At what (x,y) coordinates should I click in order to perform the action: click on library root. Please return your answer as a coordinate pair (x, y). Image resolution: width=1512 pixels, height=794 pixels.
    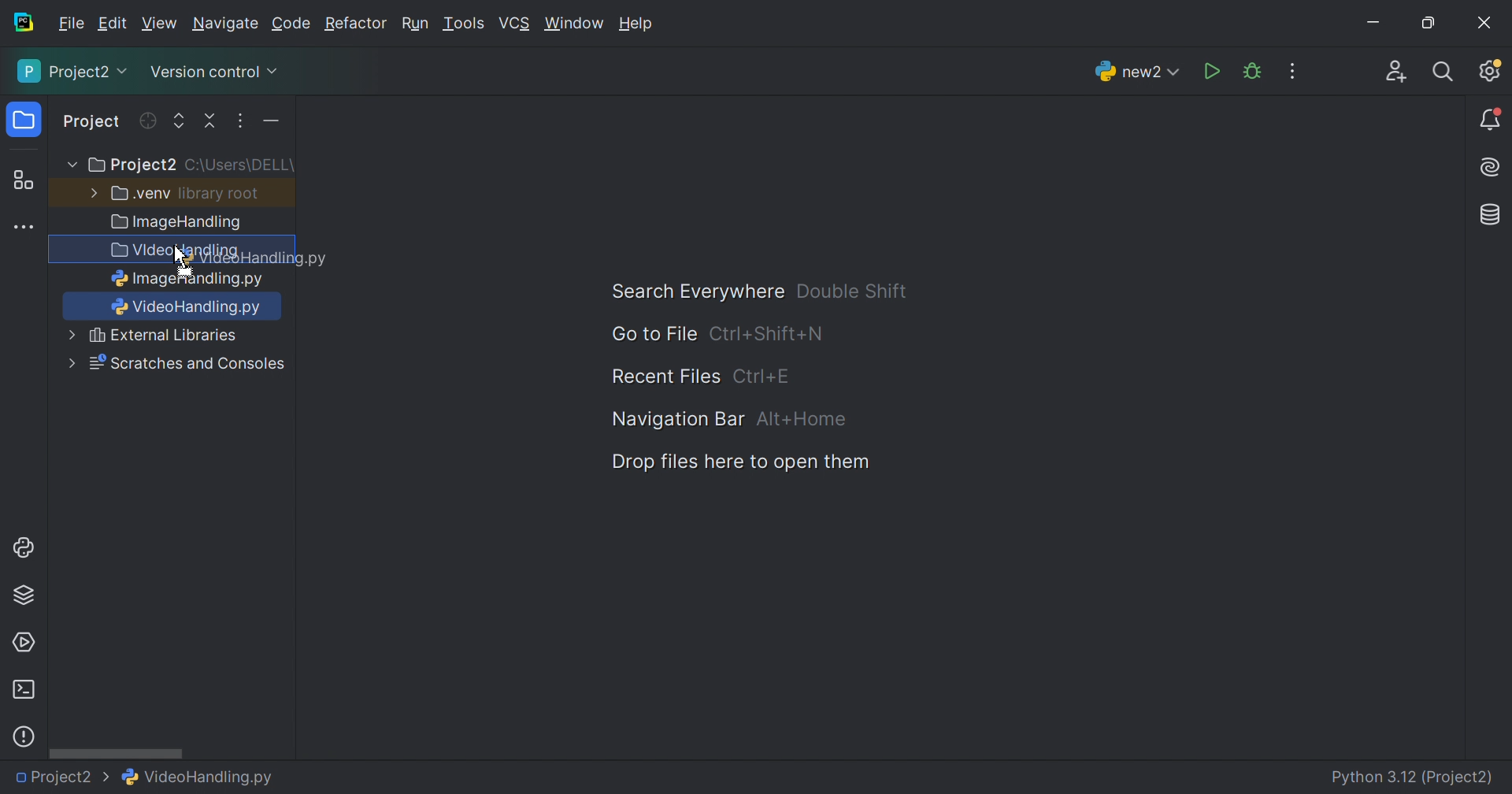
    Looking at the image, I should click on (220, 193).